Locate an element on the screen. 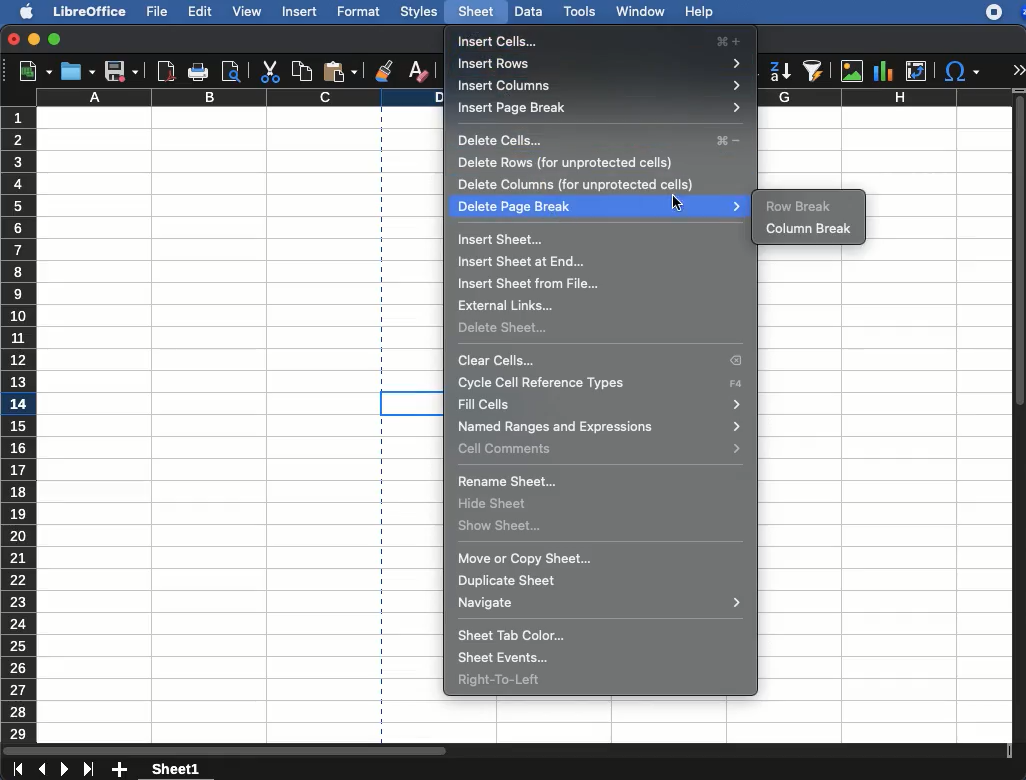 This screenshot has width=1026, height=780. special character is located at coordinates (962, 71).